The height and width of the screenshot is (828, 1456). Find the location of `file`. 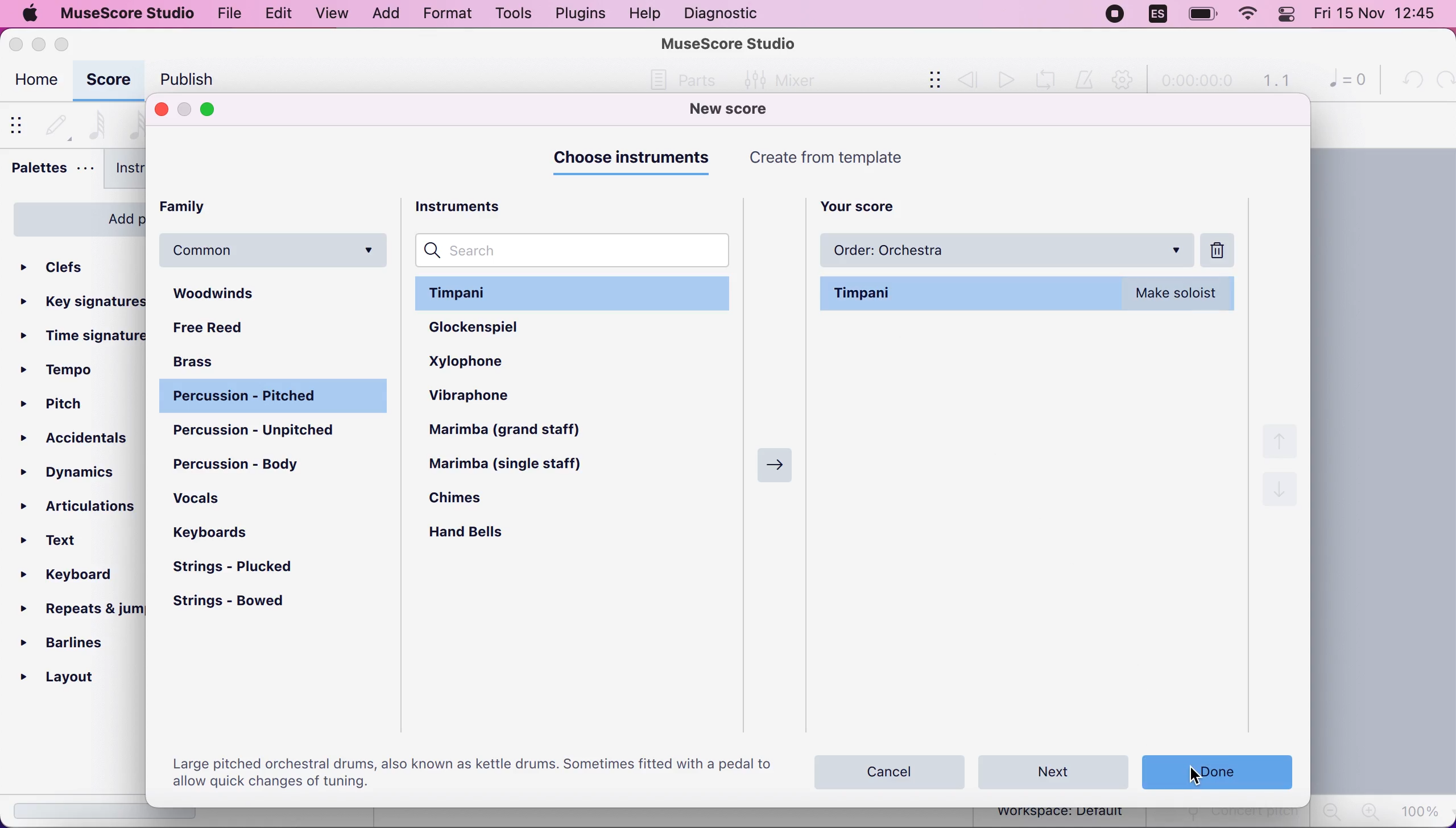

file is located at coordinates (230, 15).